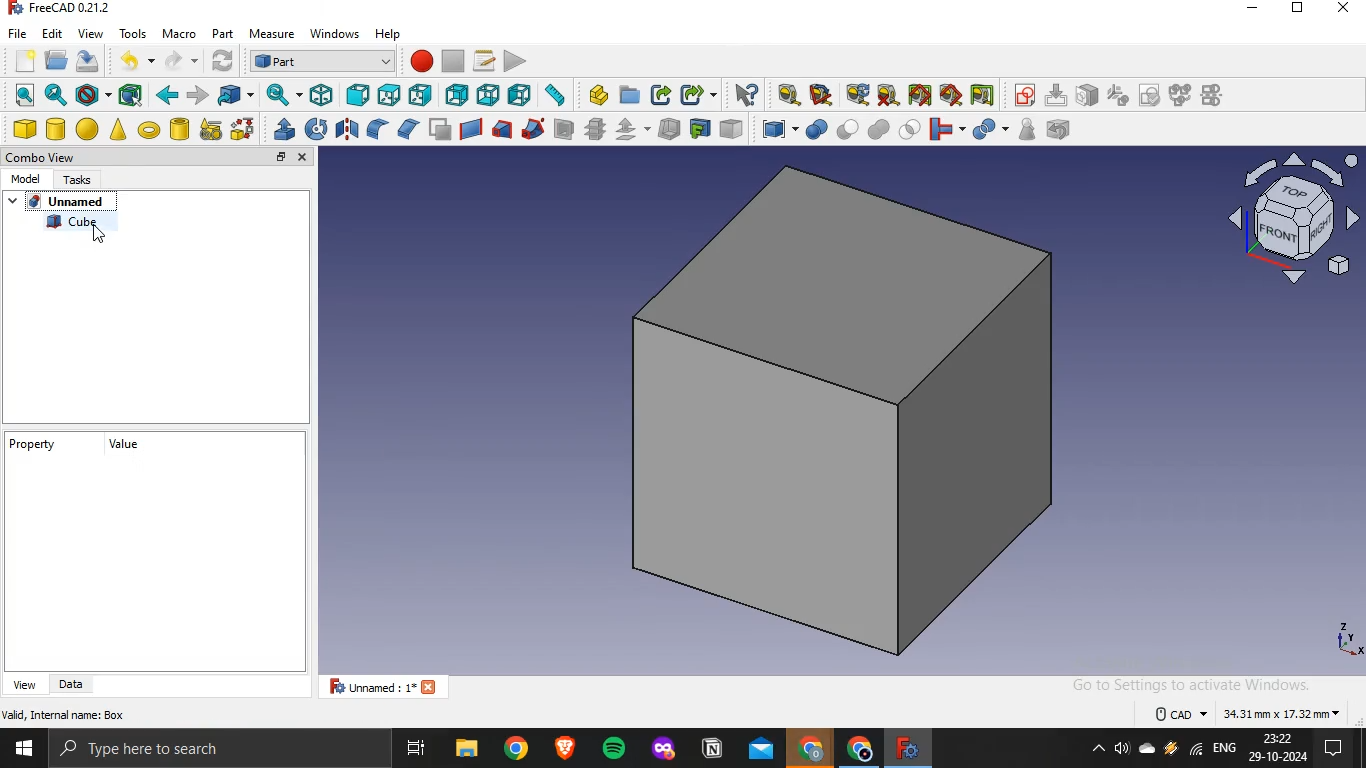  What do you see at coordinates (243, 128) in the screenshot?
I see `shape builder` at bounding box center [243, 128].